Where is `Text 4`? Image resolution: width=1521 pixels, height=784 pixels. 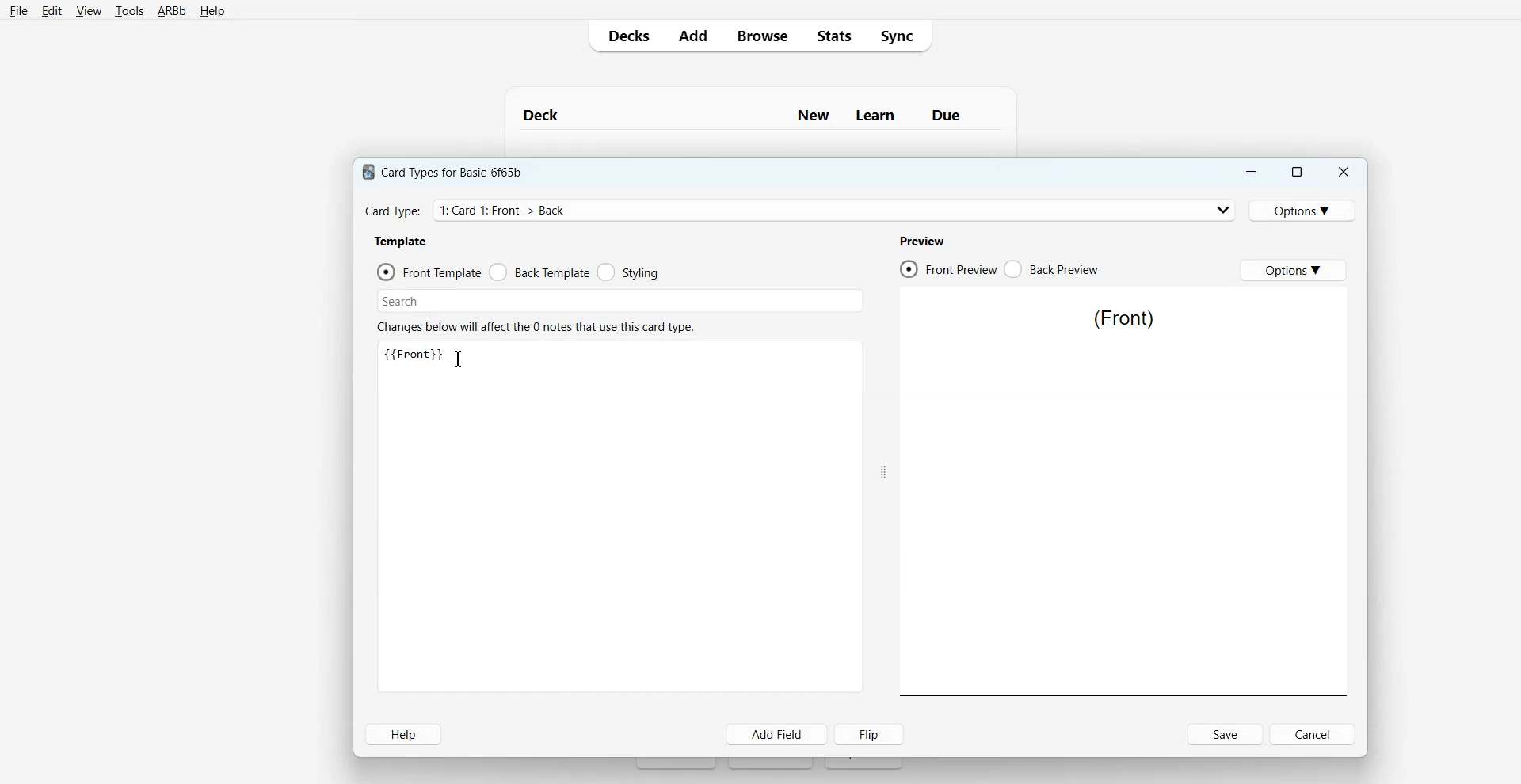
Text 4 is located at coordinates (925, 239).